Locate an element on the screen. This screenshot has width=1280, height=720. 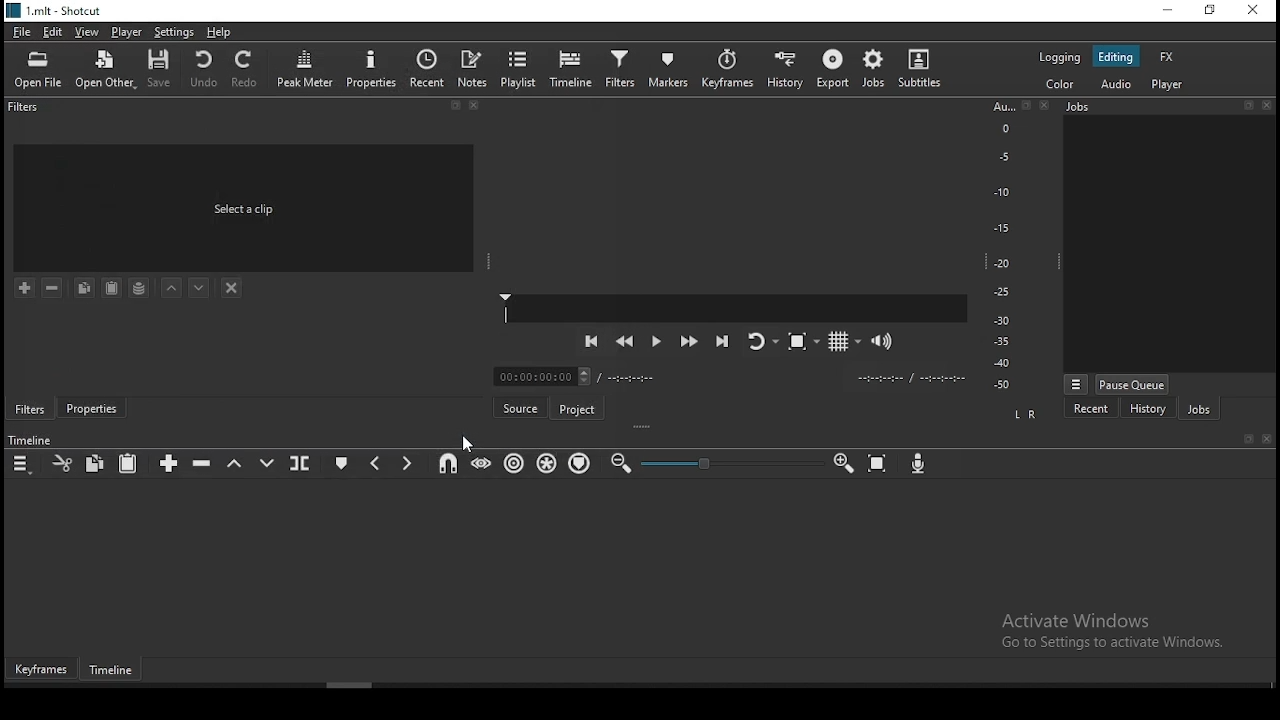
player is located at coordinates (1166, 85).